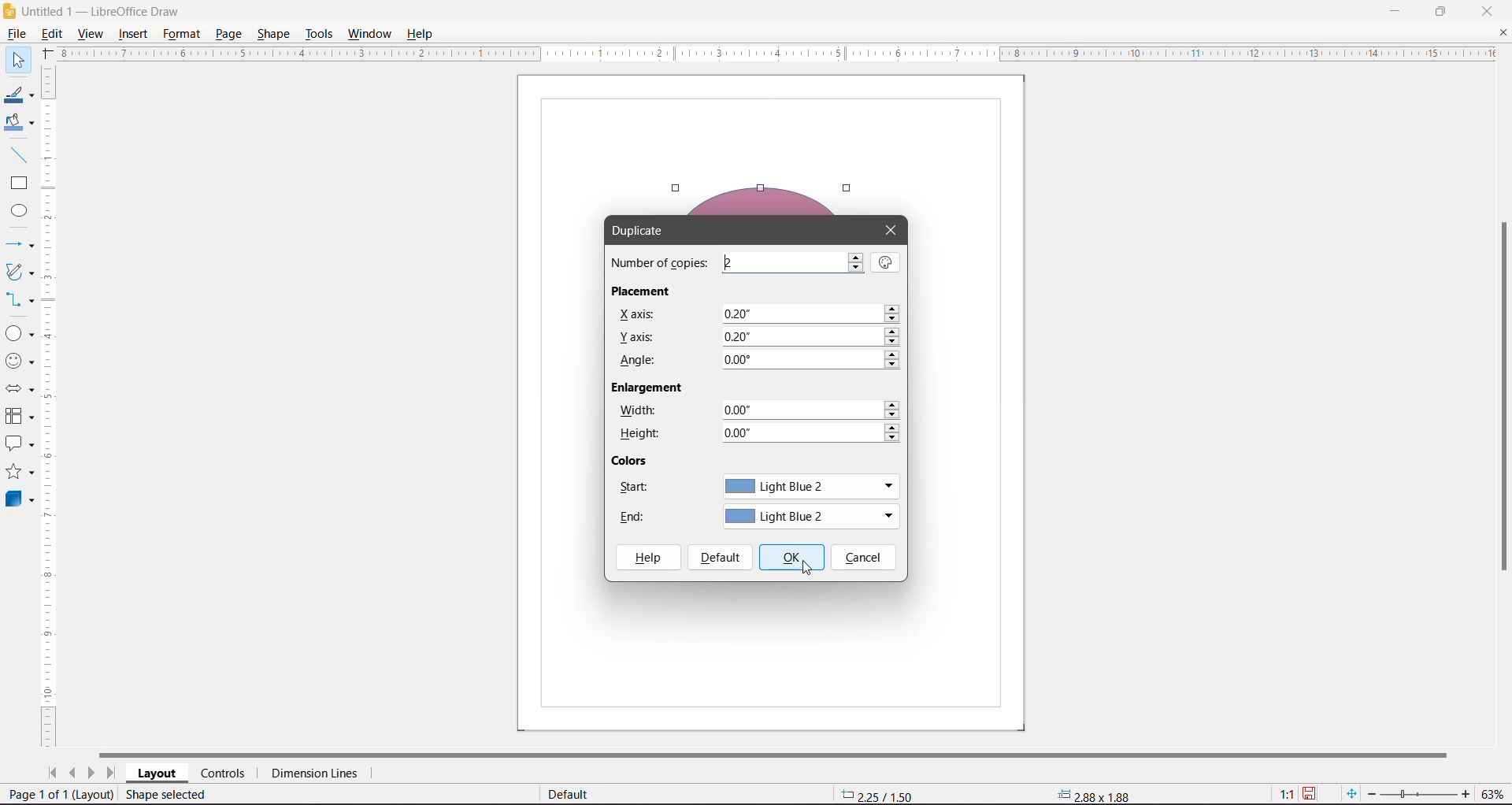  Describe the element at coordinates (20, 443) in the screenshot. I see `Callout Shapes` at that location.